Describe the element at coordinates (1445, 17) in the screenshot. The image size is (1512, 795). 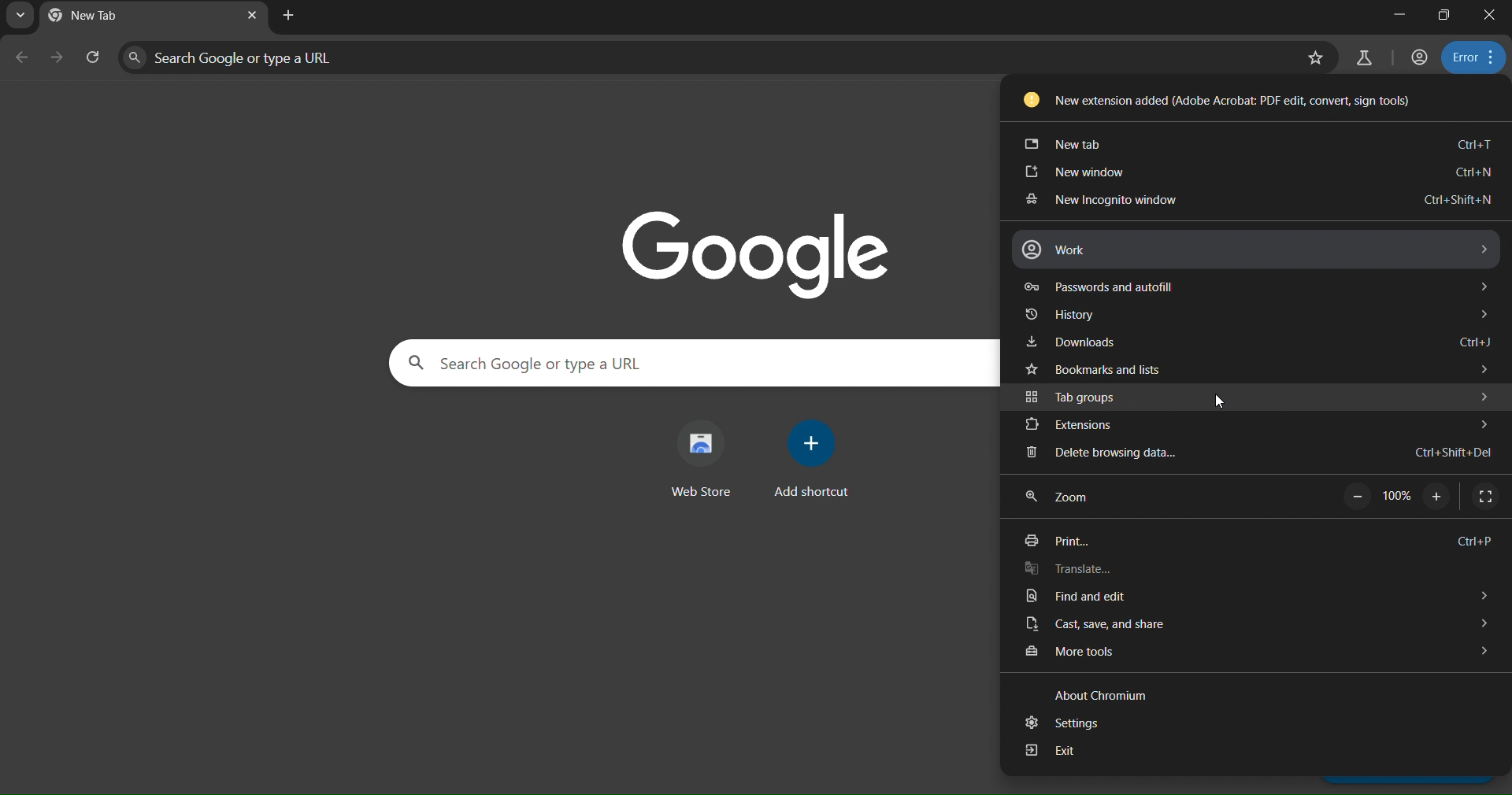
I see `restore down` at that location.